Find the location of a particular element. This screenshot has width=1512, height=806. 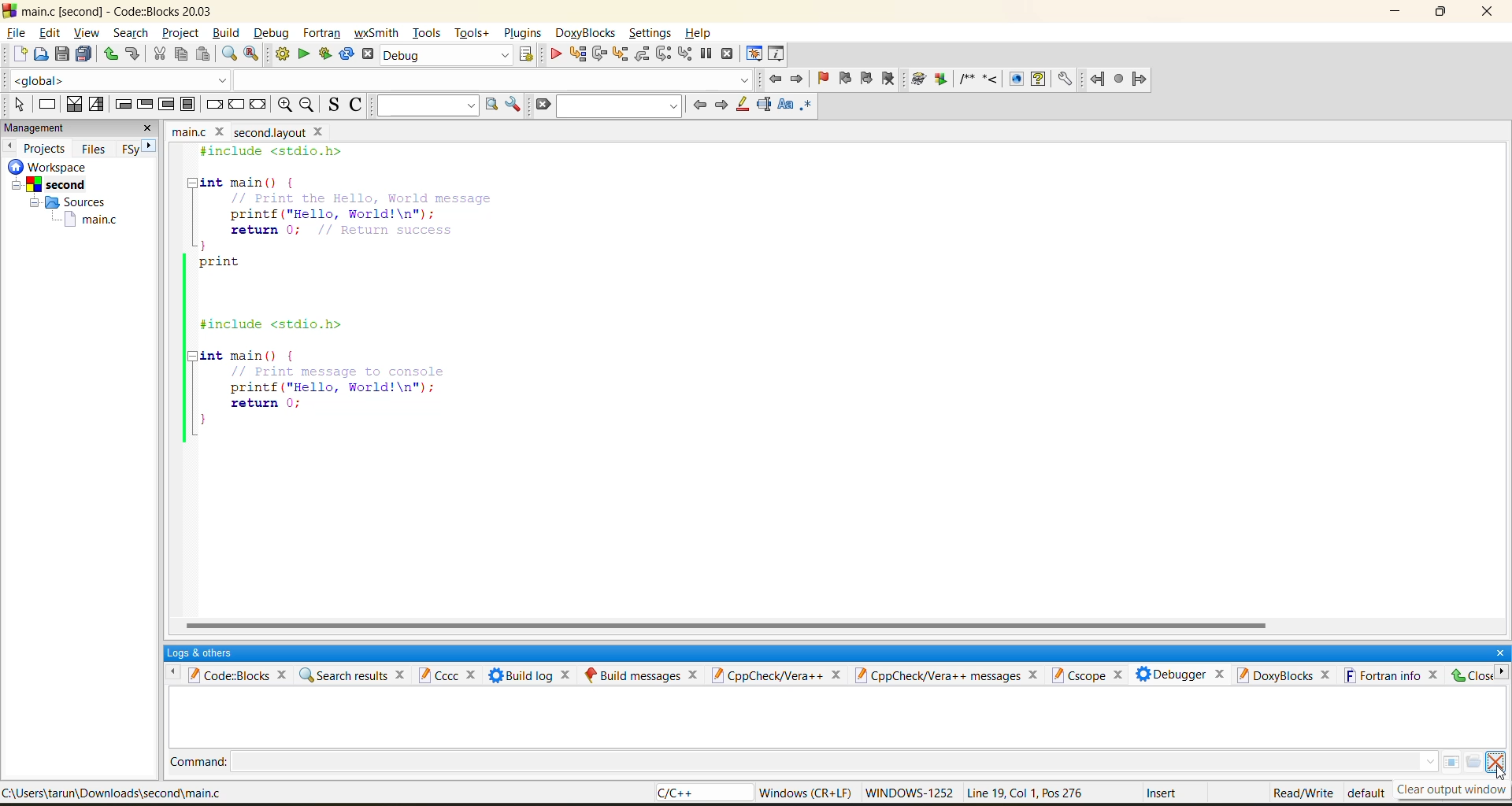

redo is located at coordinates (132, 54).